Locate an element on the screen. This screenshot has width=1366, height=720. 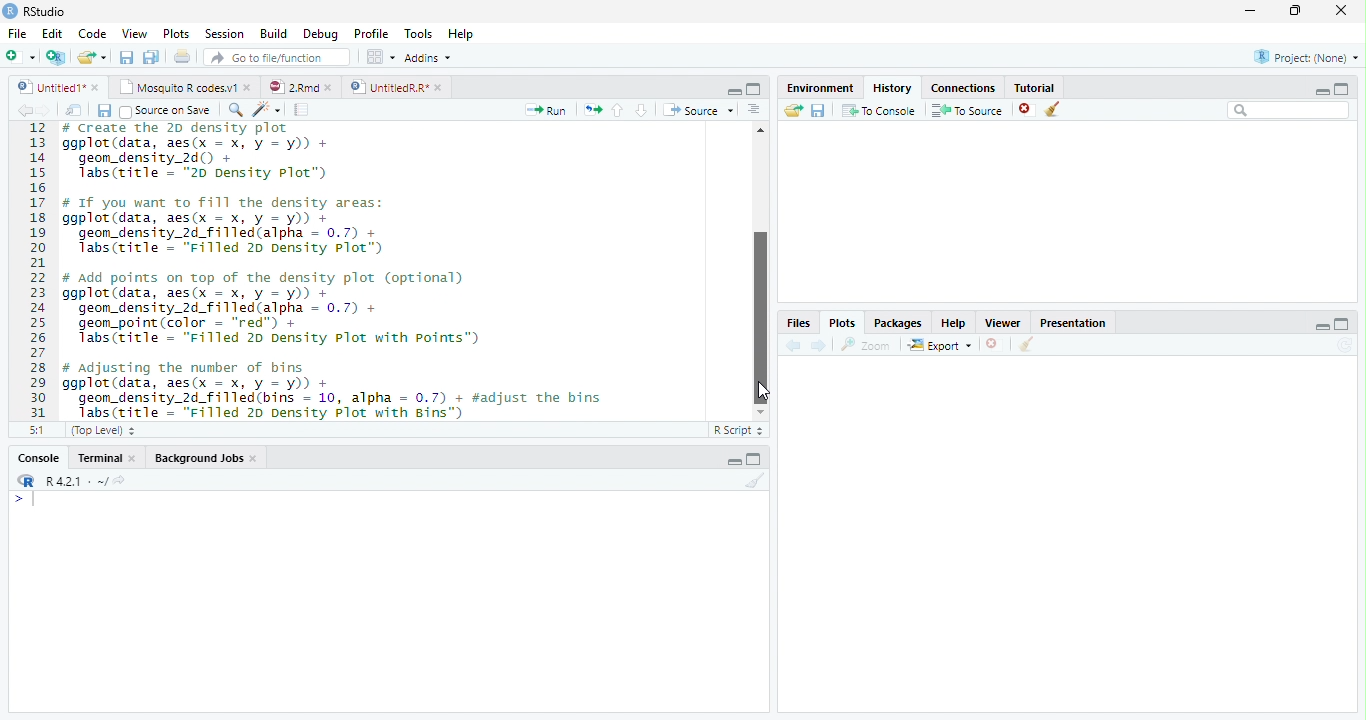
Packages is located at coordinates (897, 325).